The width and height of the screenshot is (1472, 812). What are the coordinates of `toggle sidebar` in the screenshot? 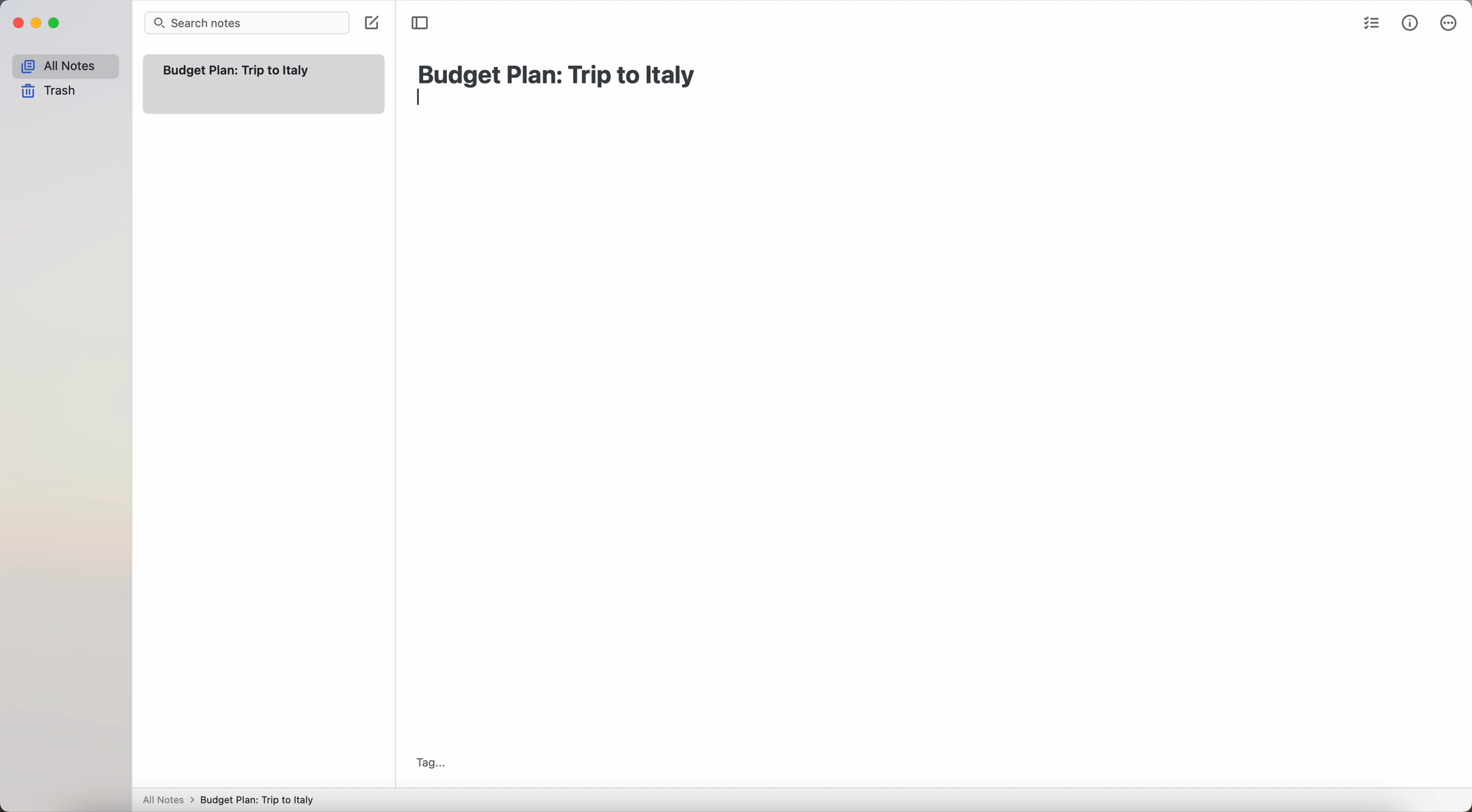 It's located at (421, 22).